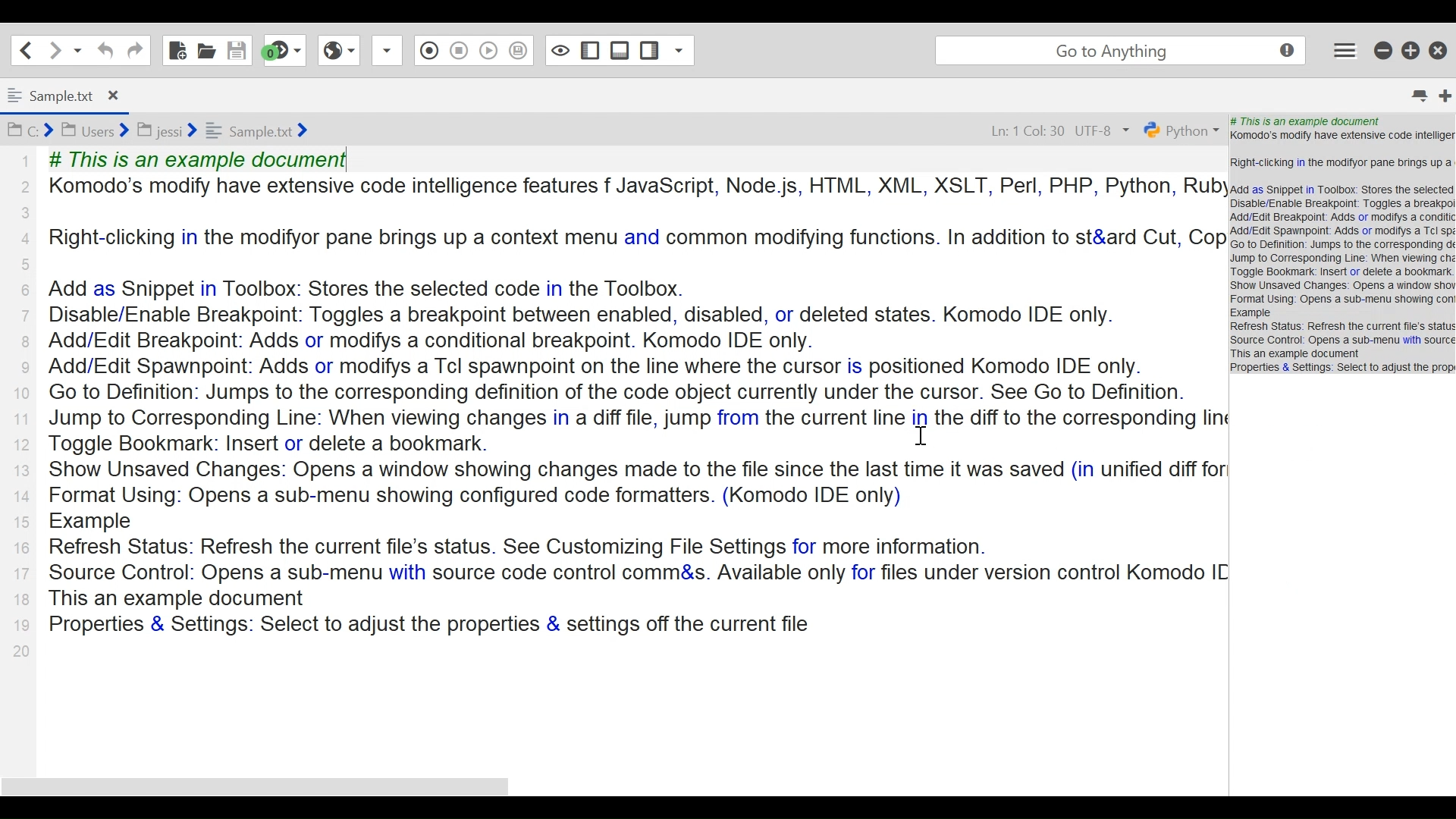 The width and height of the screenshot is (1456, 819). I want to click on Record Macro, so click(385, 52).